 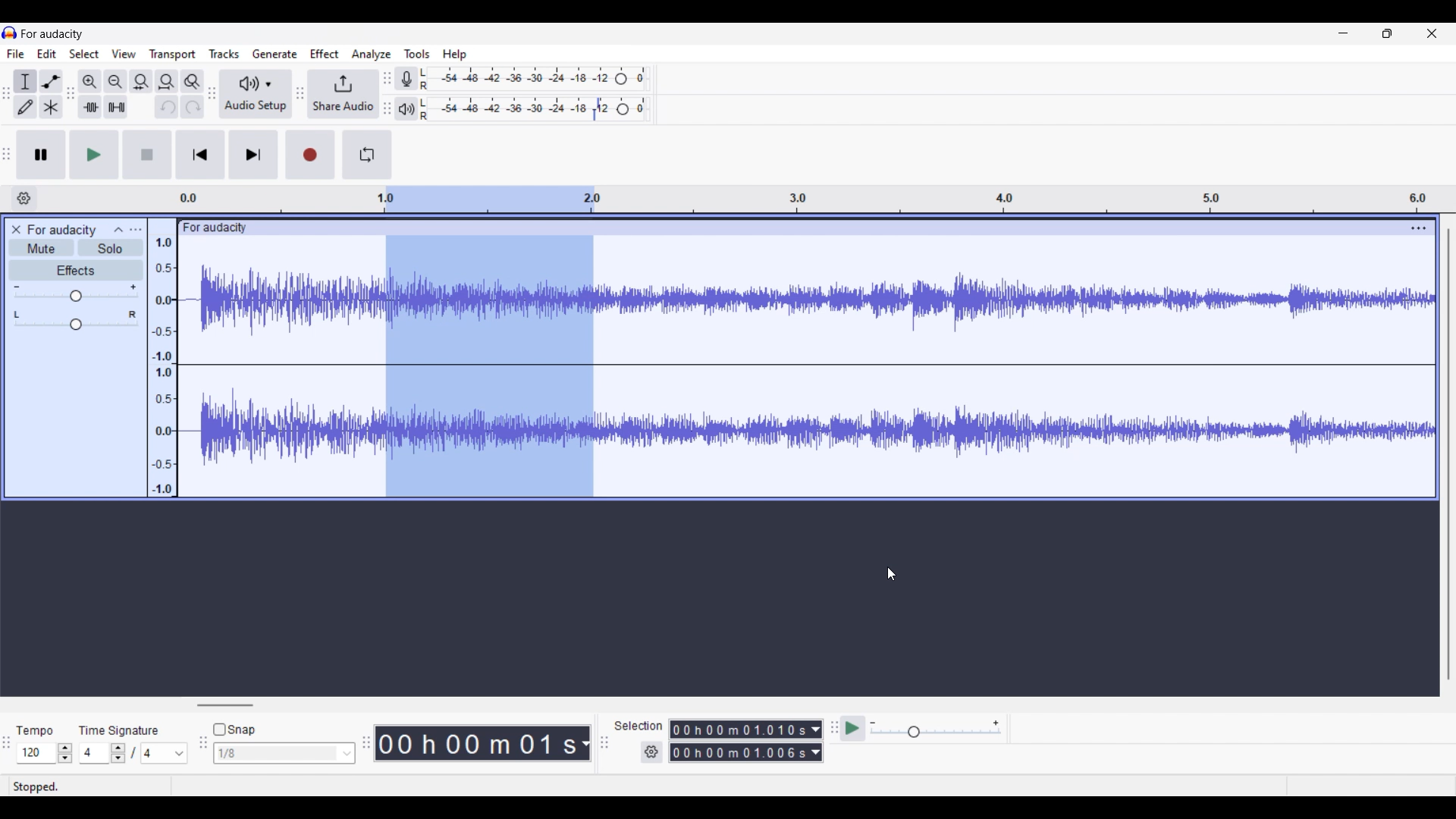 I want to click on Close track, so click(x=16, y=230).